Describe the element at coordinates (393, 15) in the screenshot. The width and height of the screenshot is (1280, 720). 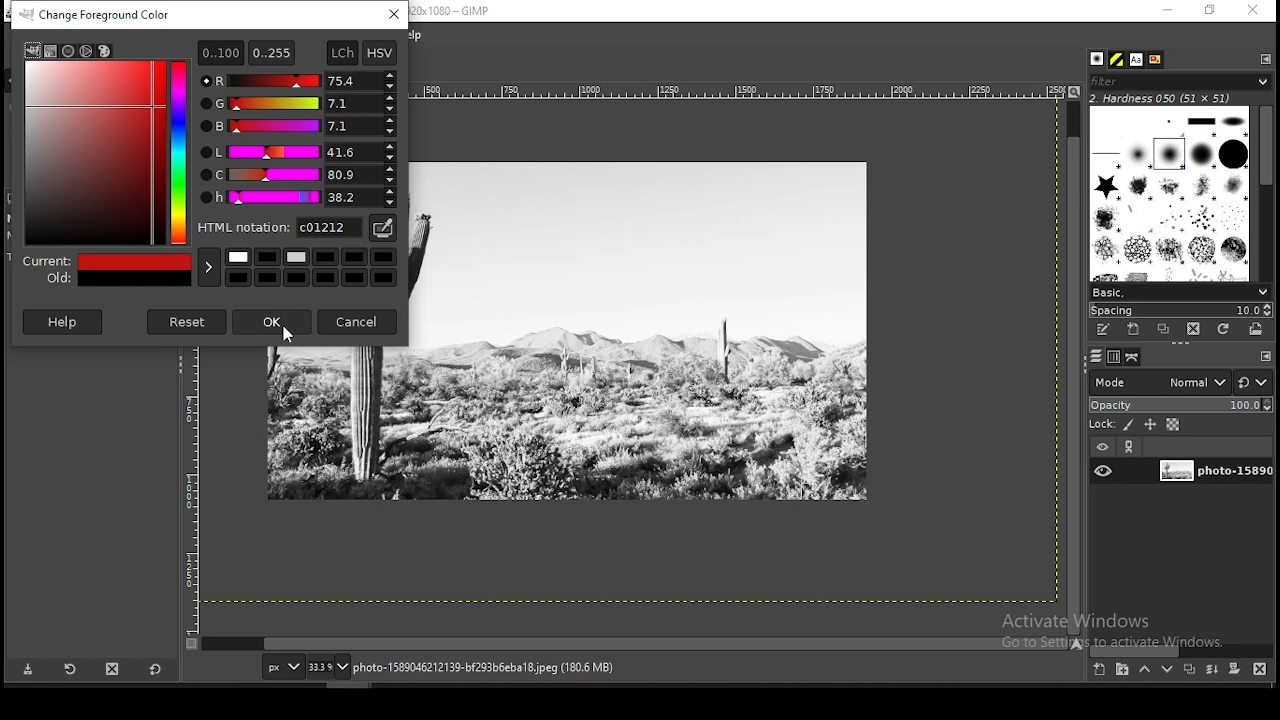
I see `close window` at that location.